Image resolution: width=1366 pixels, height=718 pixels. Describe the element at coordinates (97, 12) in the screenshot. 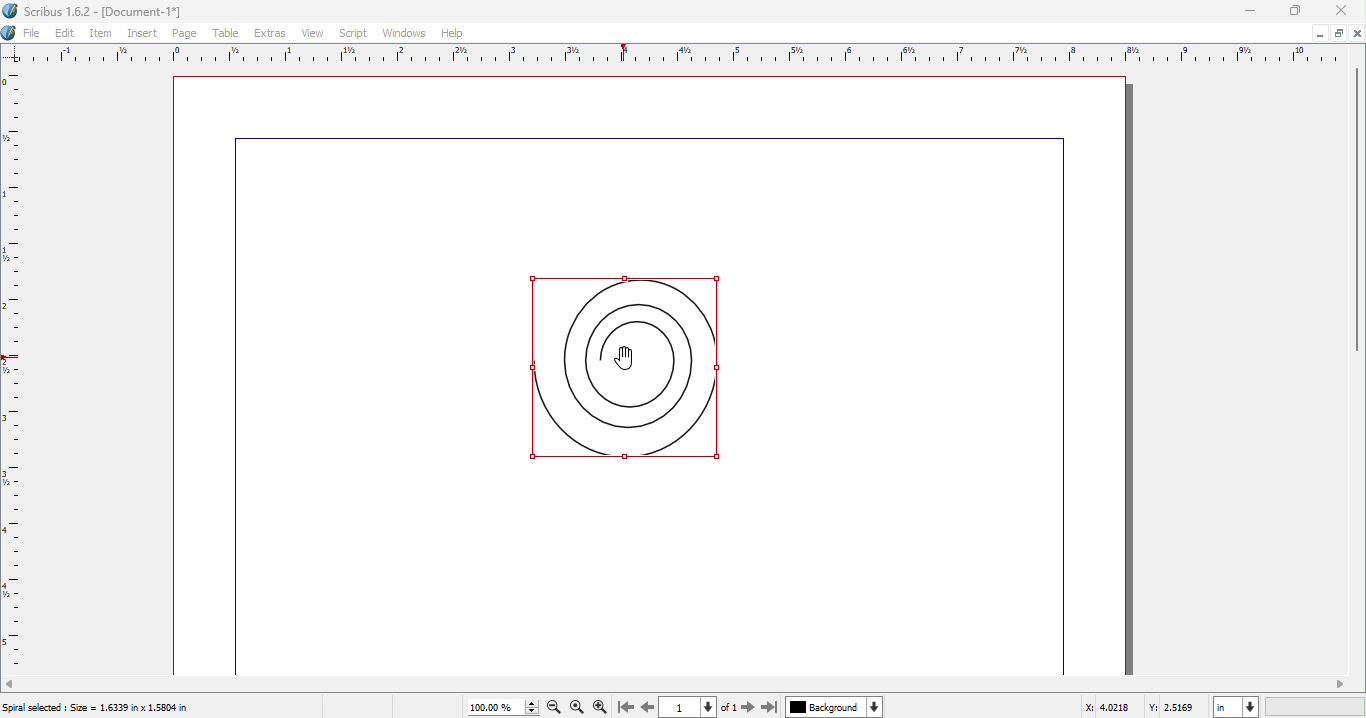

I see `File name` at that location.